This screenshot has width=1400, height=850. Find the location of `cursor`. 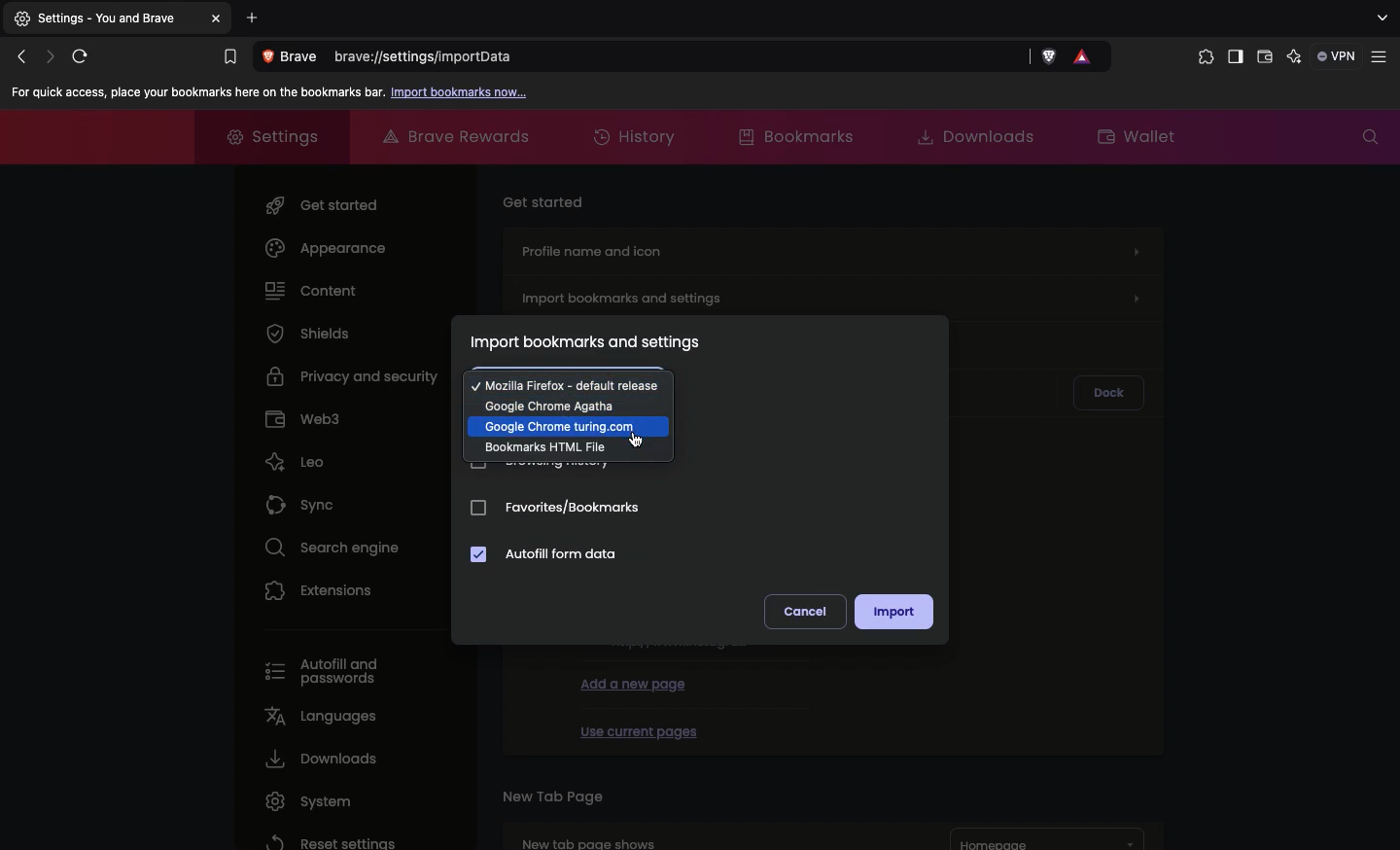

cursor is located at coordinates (636, 441).